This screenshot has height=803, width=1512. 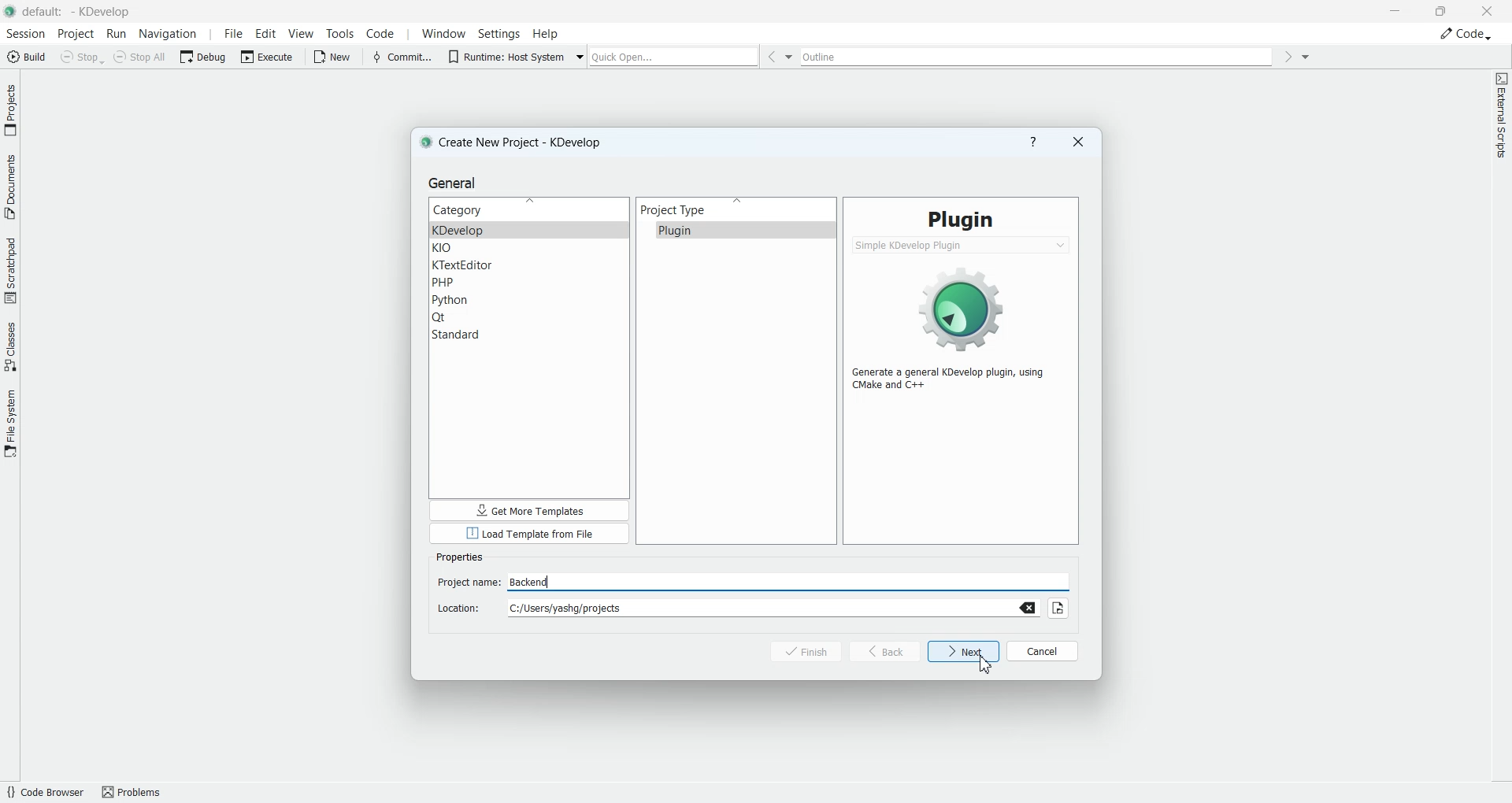 I want to click on Close, so click(x=1078, y=142).